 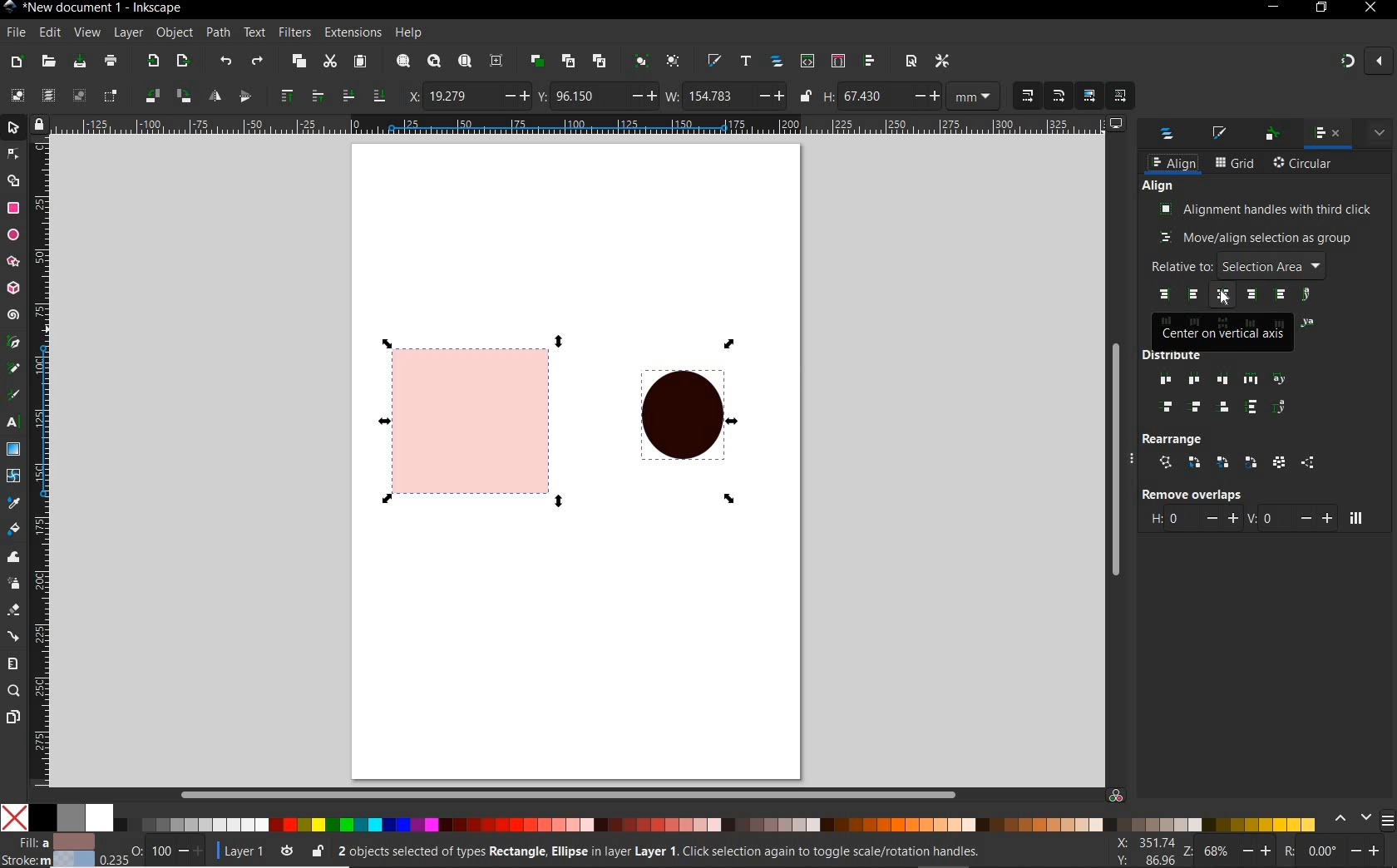 What do you see at coordinates (11, 423) in the screenshot?
I see `text tool` at bounding box center [11, 423].